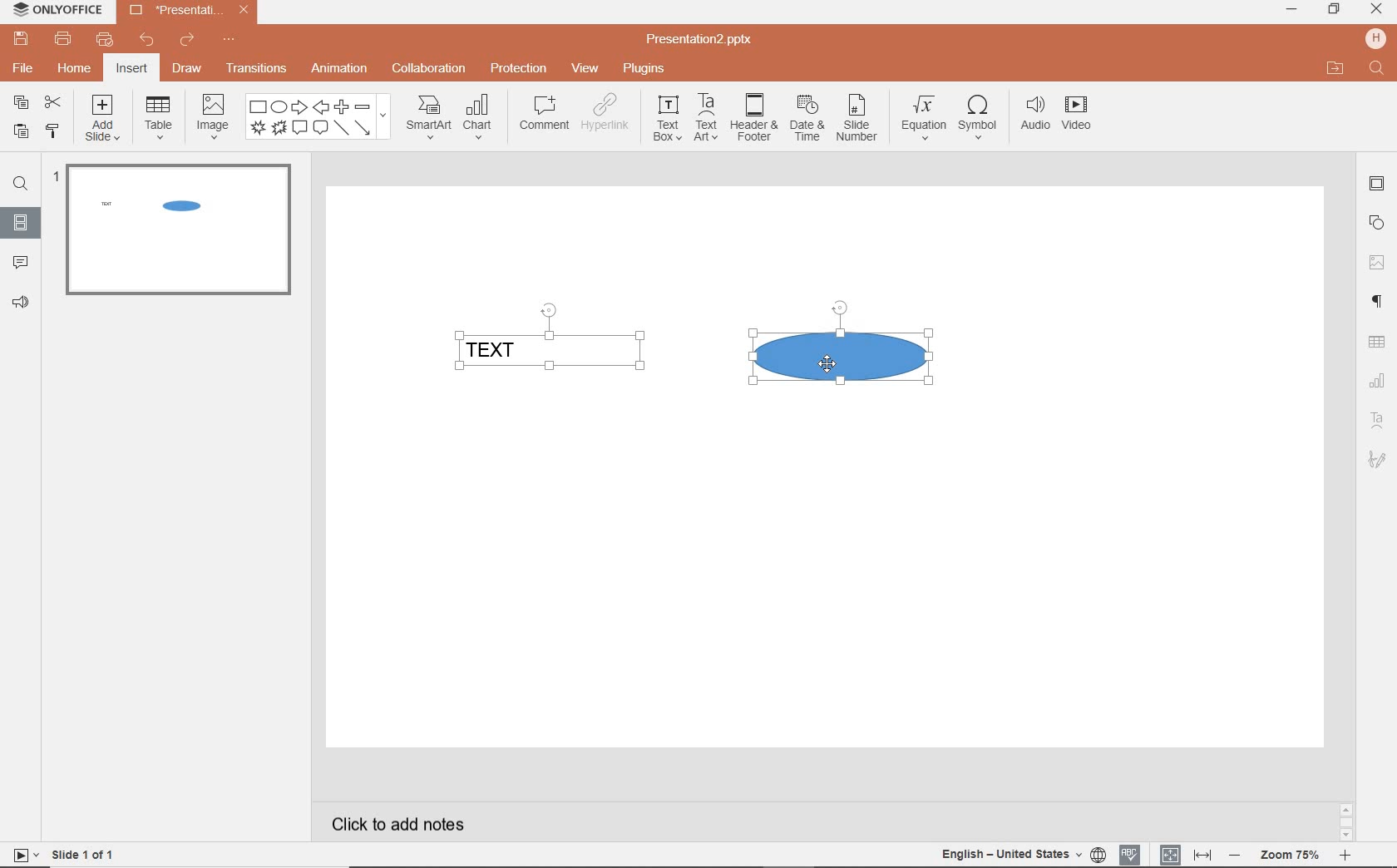  Describe the element at coordinates (921, 121) in the screenshot. I see `equation` at that location.